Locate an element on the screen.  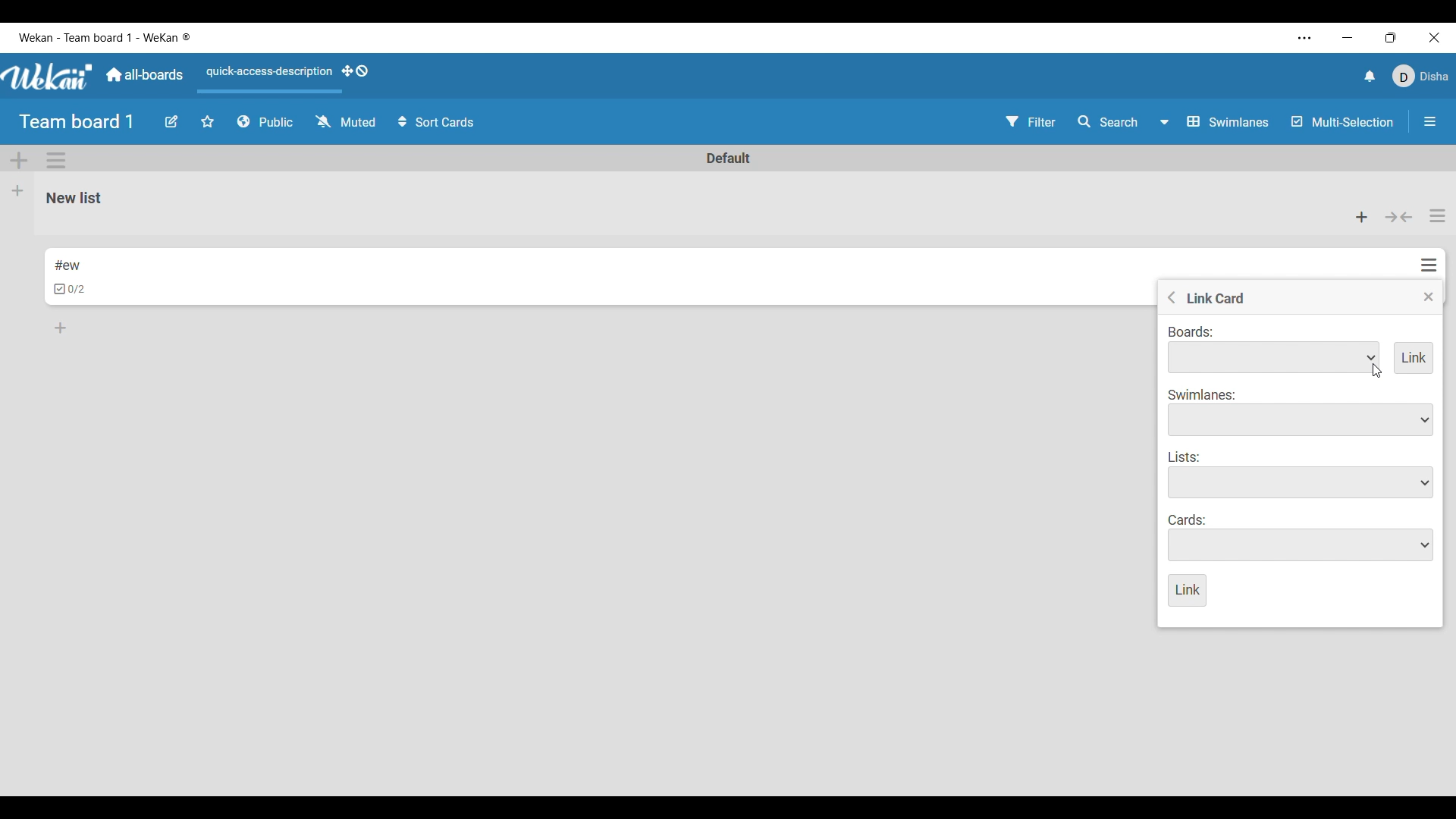
Card options is located at coordinates (1301, 545).